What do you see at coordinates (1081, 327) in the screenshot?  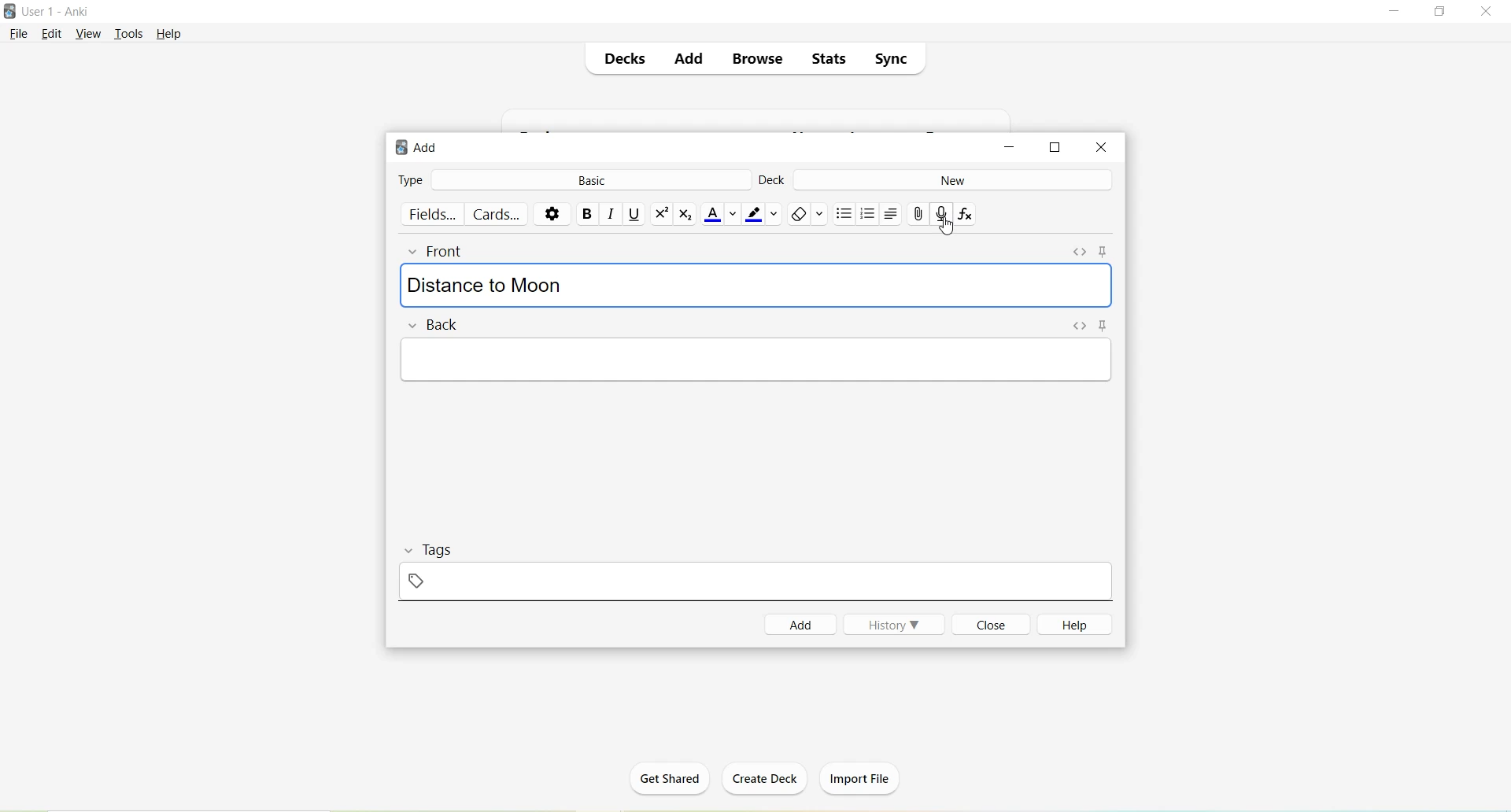 I see `Toggle HTML Editor` at bounding box center [1081, 327].